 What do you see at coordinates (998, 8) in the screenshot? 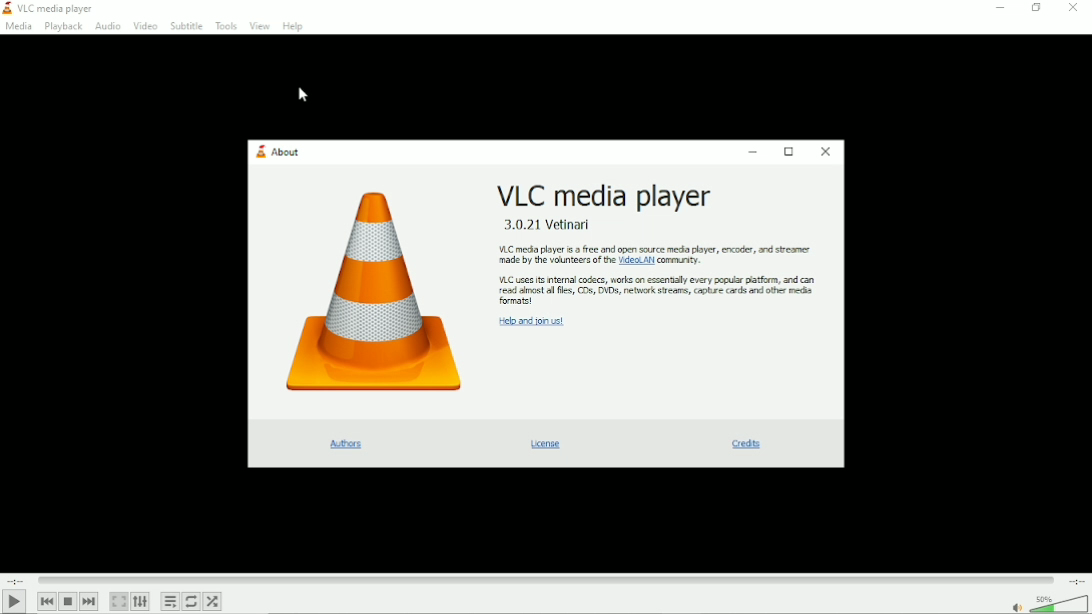
I see `Minimize` at bounding box center [998, 8].